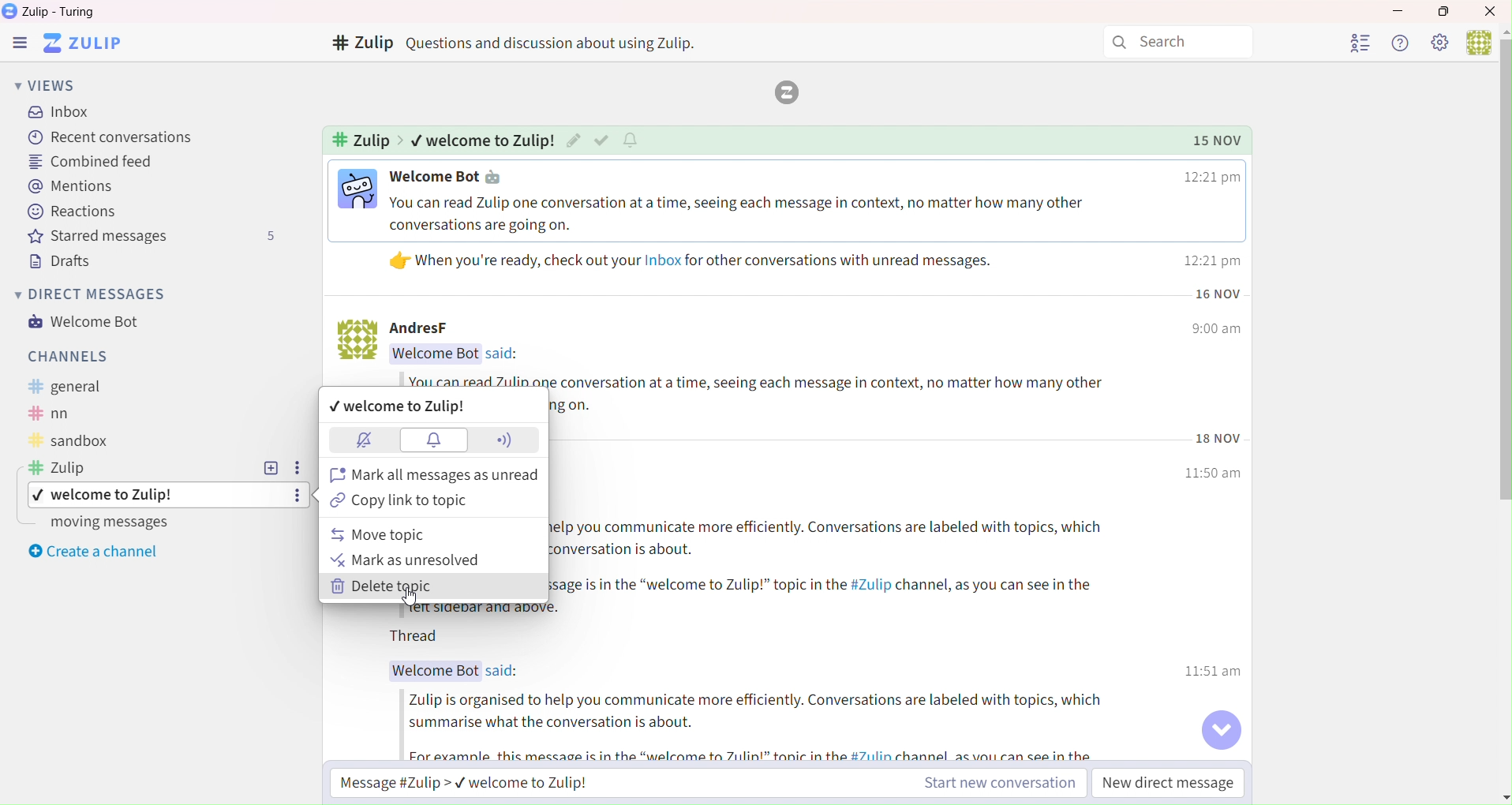 Image resolution: width=1512 pixels, height=805 pixels. What do you see at coordinates (1221, 730) in the screenshot?
I see `Go to bottom of conversation button` at bounding box center [1221, 730].